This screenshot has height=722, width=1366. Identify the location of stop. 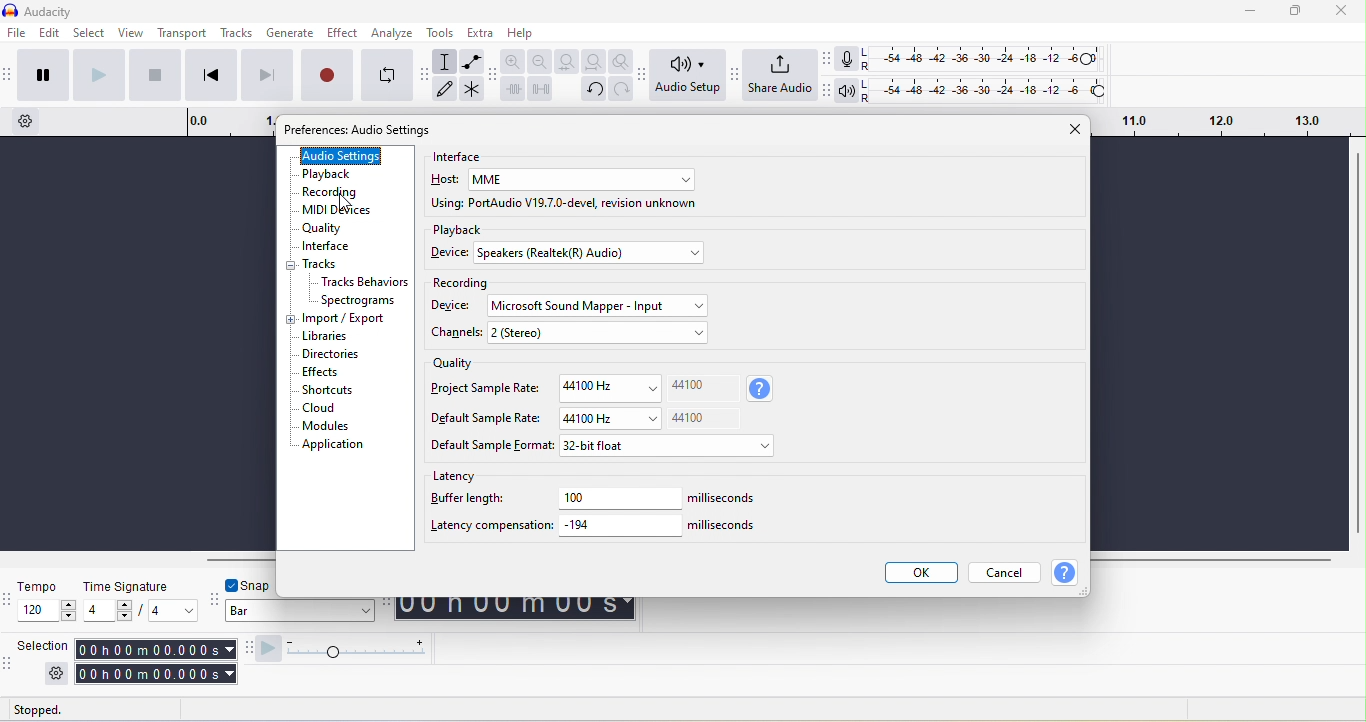
(158, 74).